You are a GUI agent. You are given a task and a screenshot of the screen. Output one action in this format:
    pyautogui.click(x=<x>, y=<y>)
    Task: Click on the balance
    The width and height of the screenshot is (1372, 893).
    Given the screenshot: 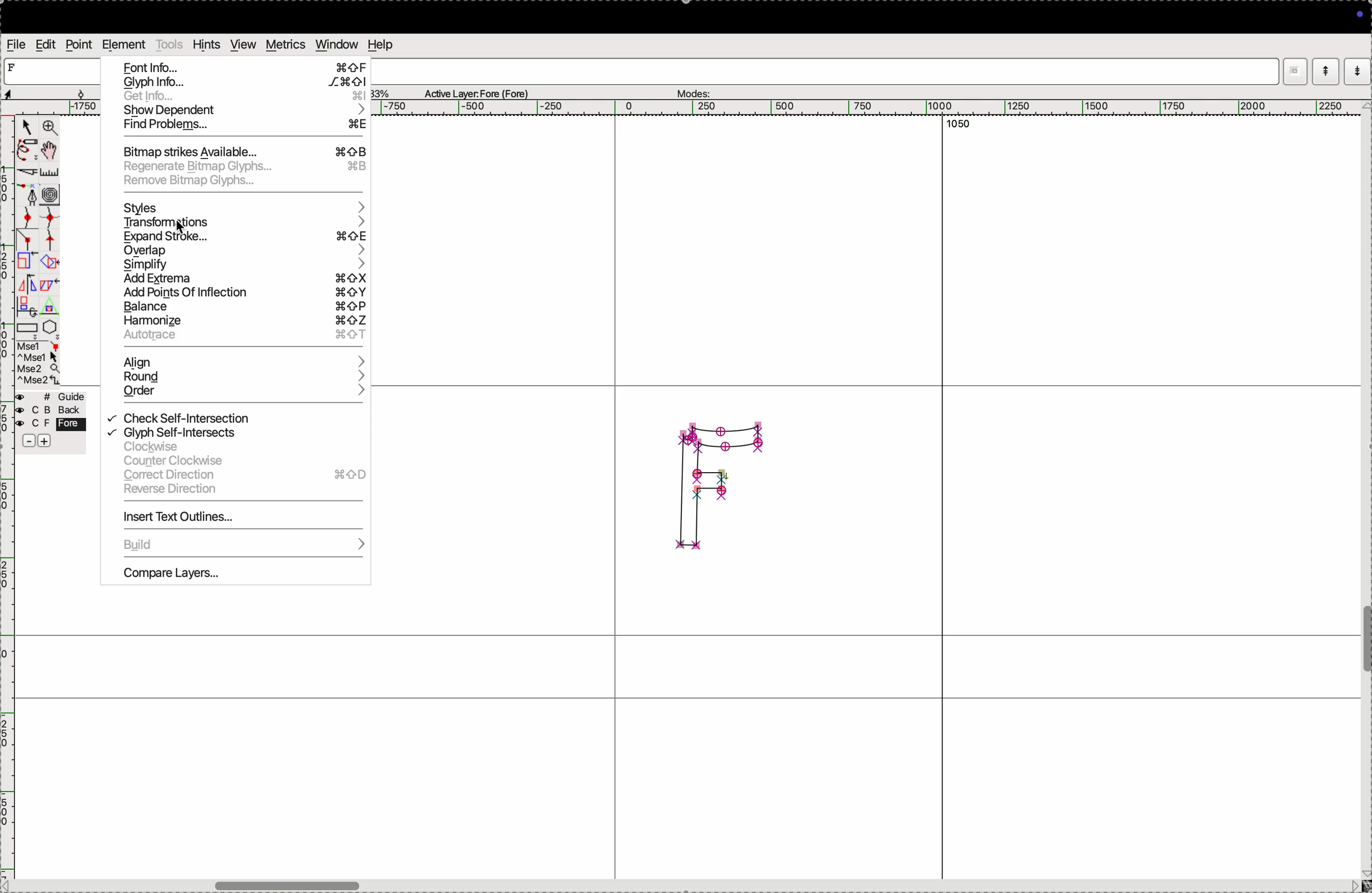 What is the action you would take?
    pyautogui.click(x=240, y=307)
    